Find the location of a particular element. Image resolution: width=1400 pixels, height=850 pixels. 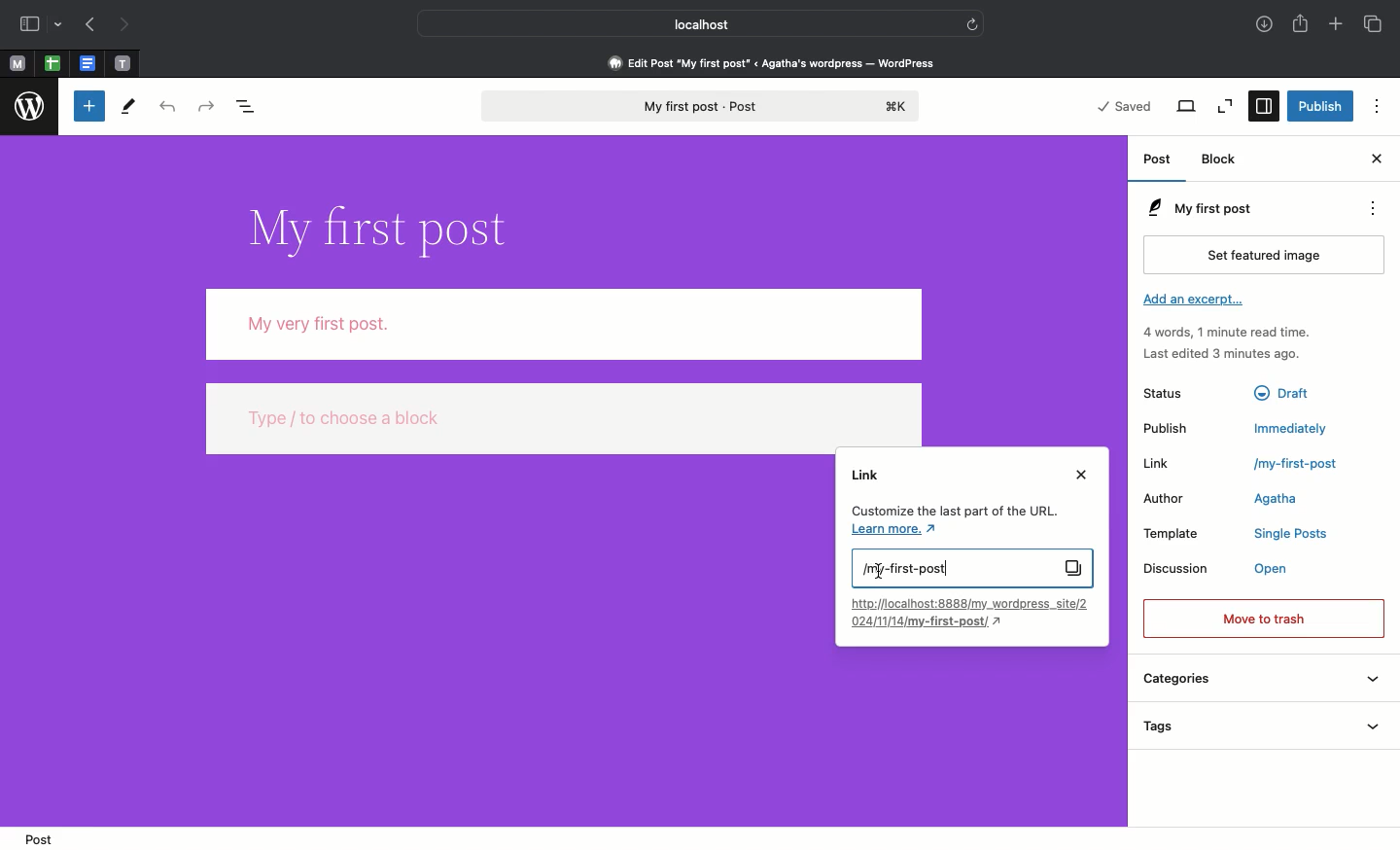

Agatha is located at coordinates (1282, 500).